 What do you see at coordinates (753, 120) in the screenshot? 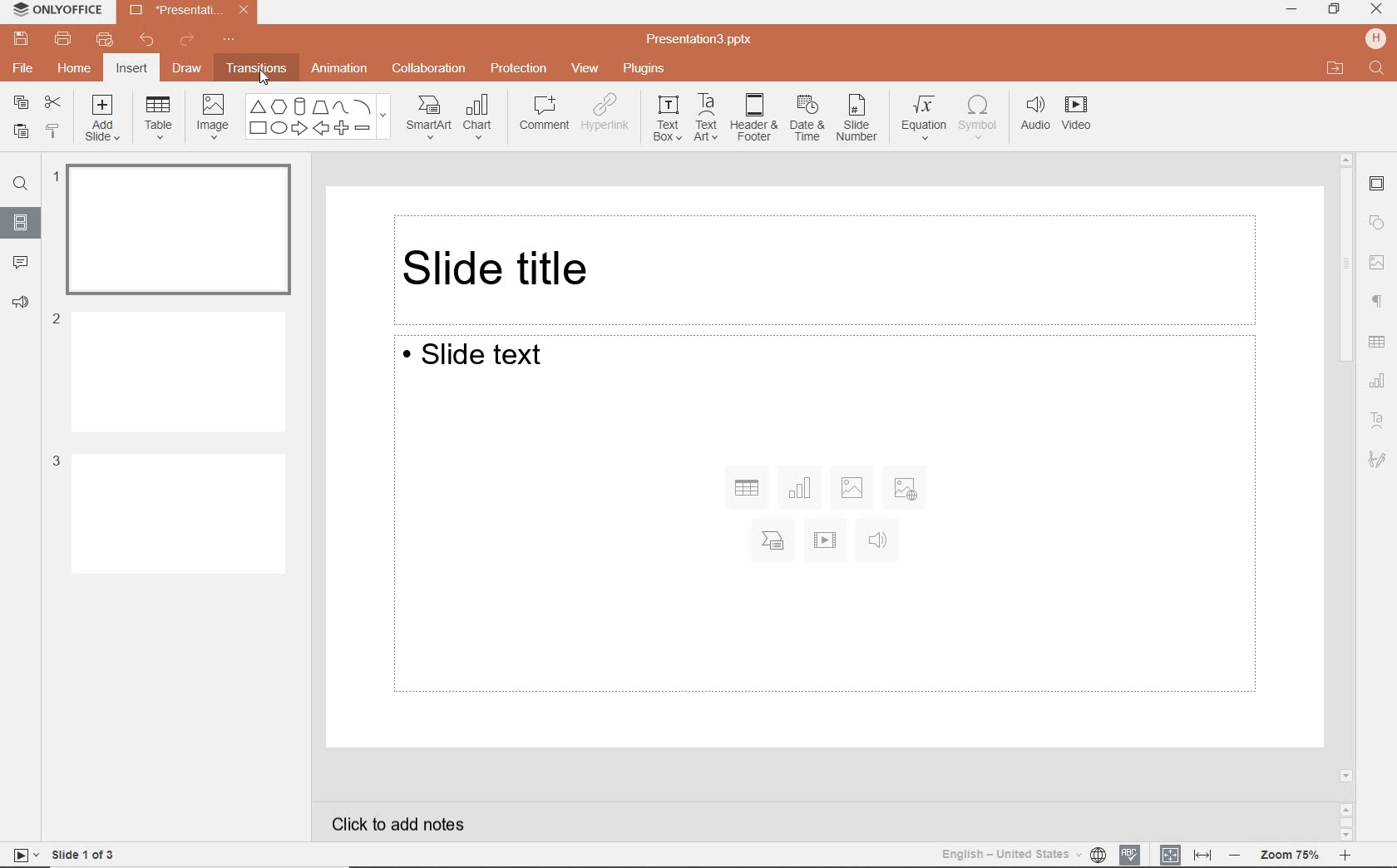
I see `HEADER & FOOTER ` at bounding box center [753, 120].